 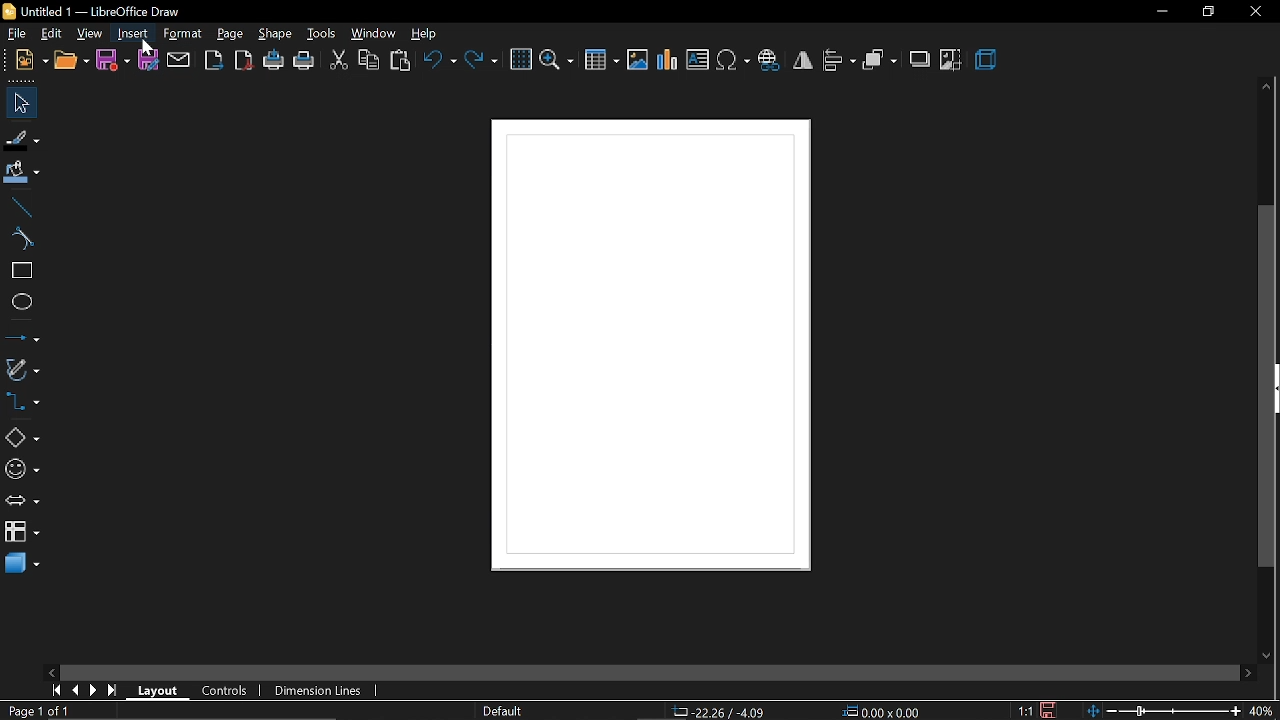 What do you see at coordinates (734, 61) in the screenshot?
I see `insert symbol` at bounding box center [734, 61].